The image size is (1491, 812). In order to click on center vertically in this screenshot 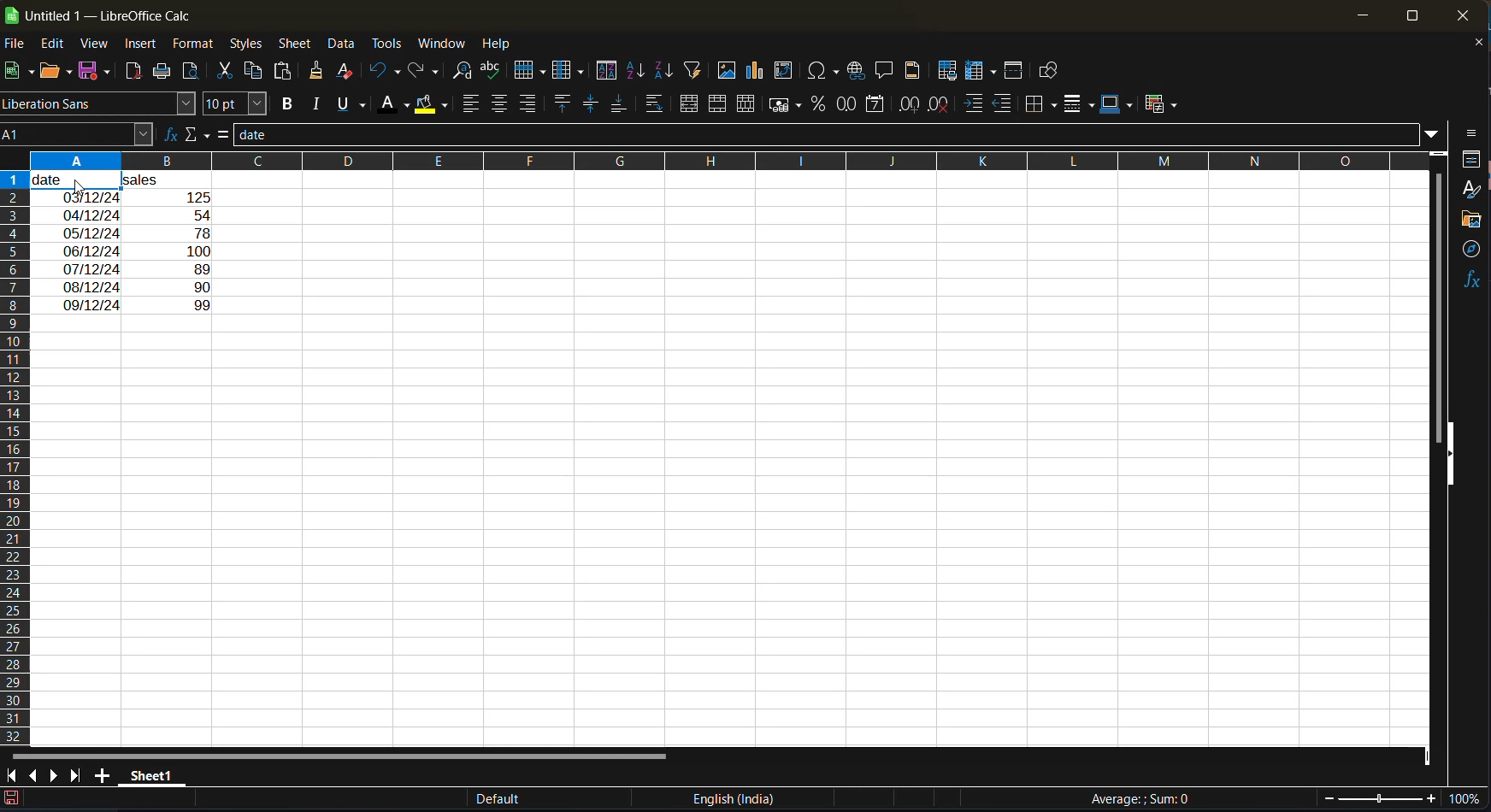, I will do `click(590, 103)`.